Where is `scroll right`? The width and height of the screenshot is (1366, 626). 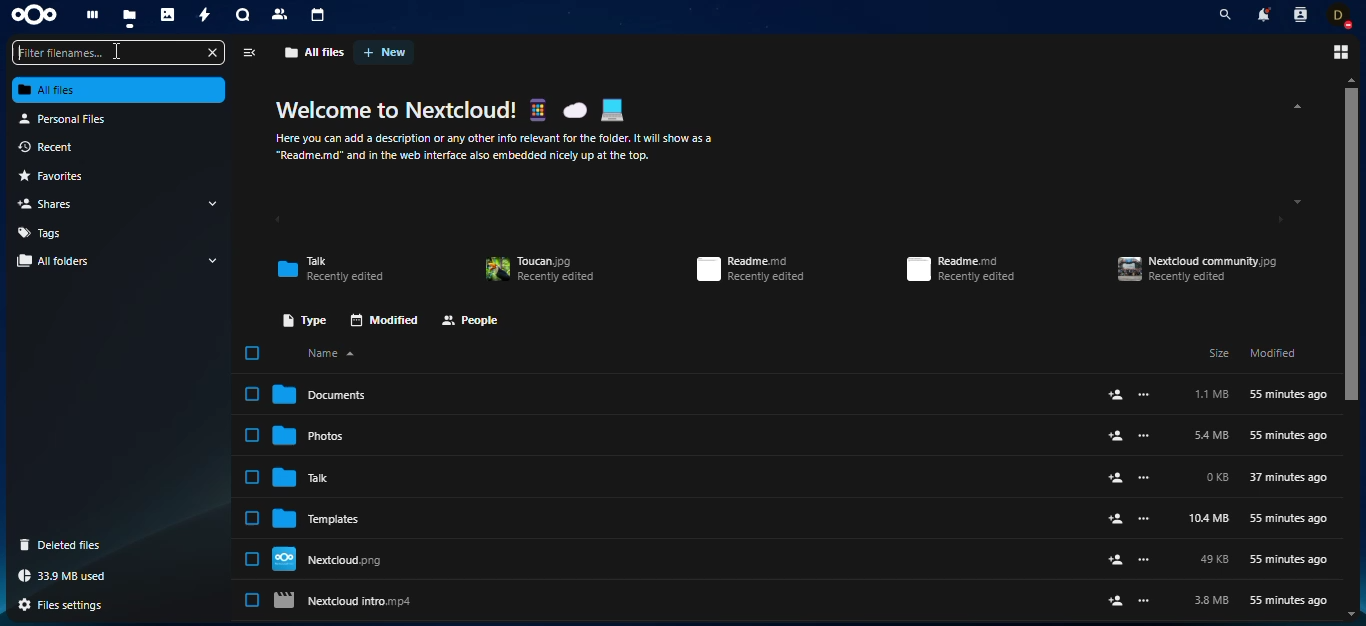 scroll right is located at coordinates (1278, 220).